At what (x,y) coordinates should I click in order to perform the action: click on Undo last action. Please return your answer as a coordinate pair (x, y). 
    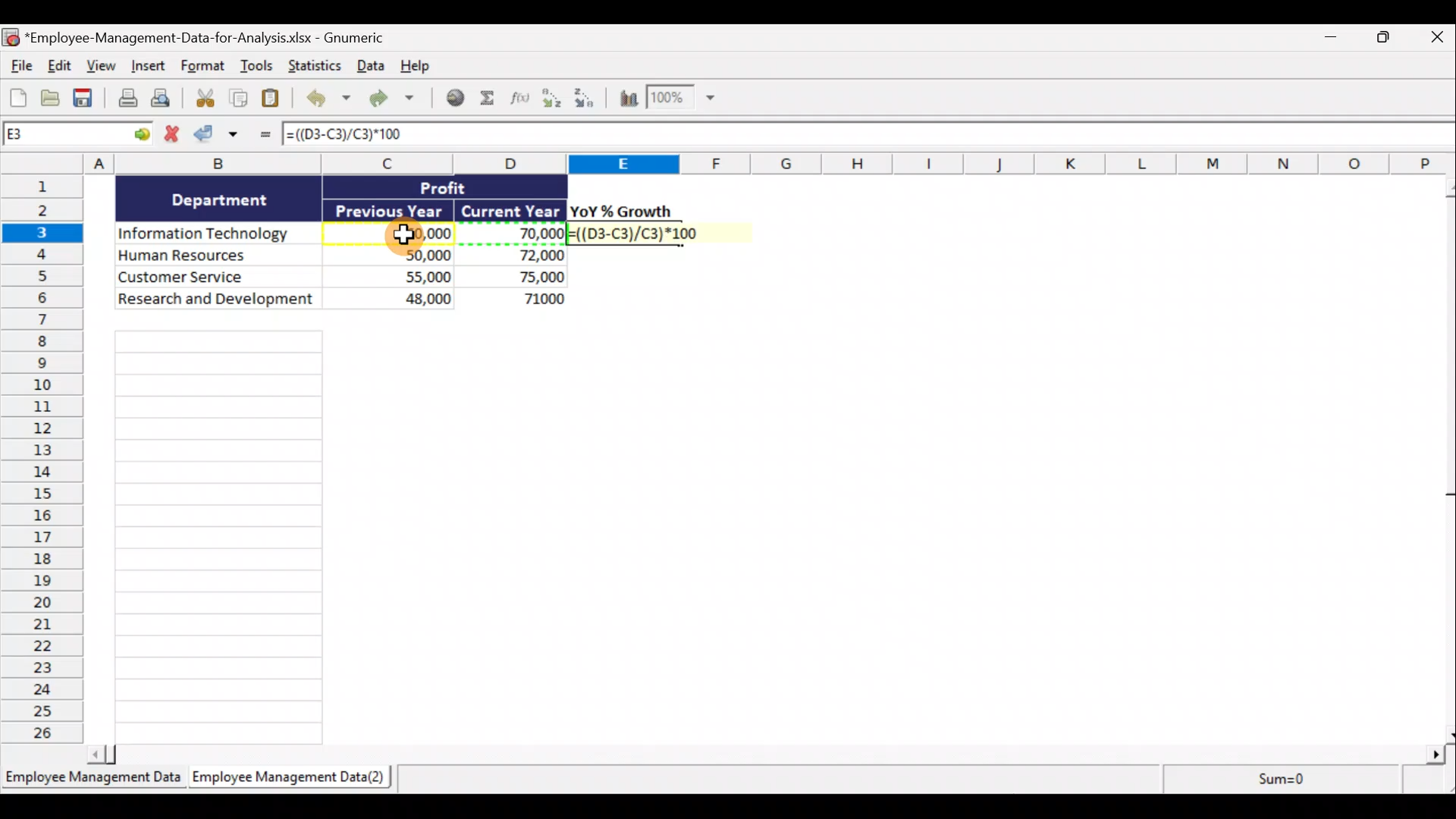
    Looking at the image, I should click on (325, 99).